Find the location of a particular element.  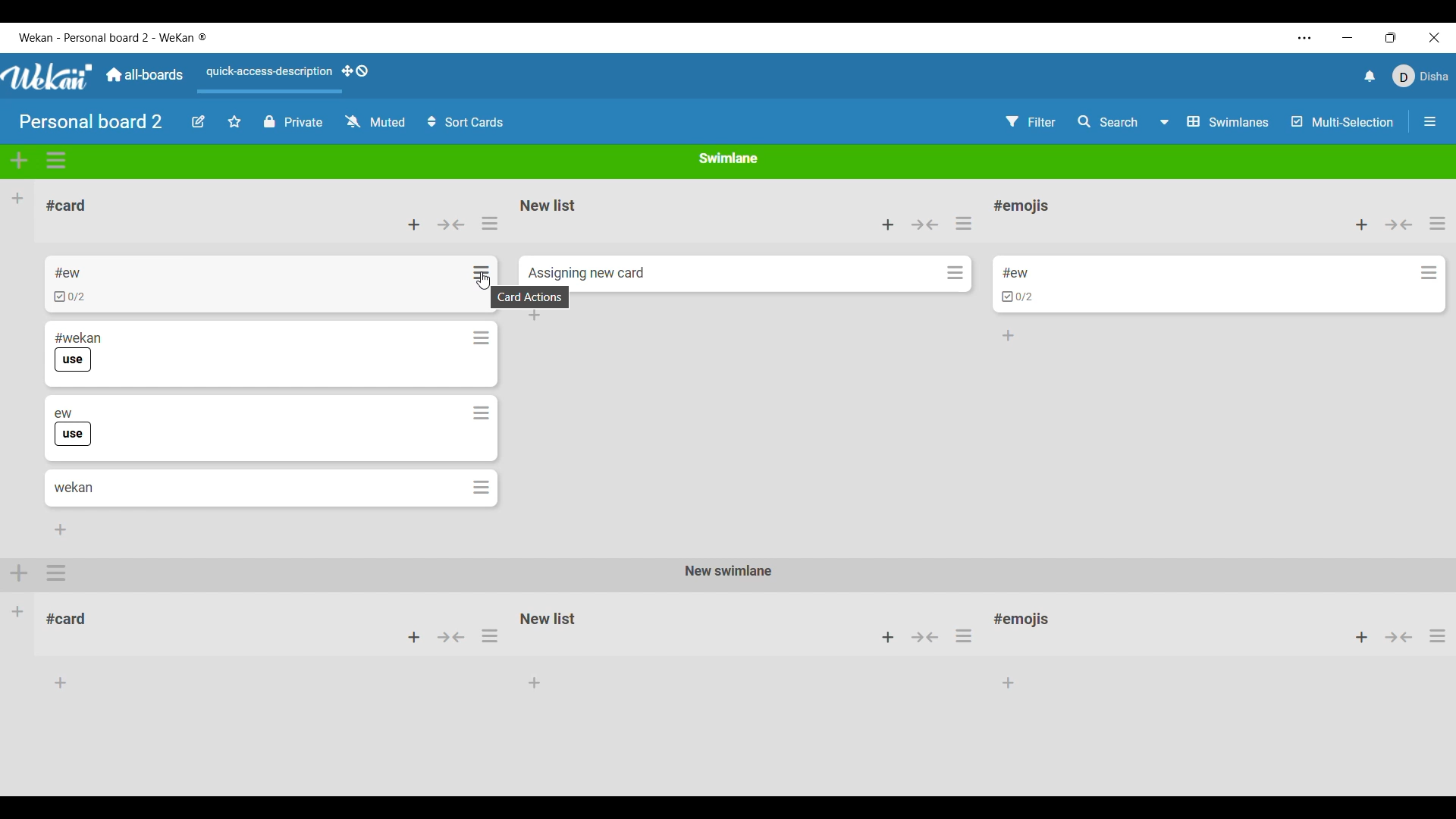

List name is located at coordinates (548, 206).